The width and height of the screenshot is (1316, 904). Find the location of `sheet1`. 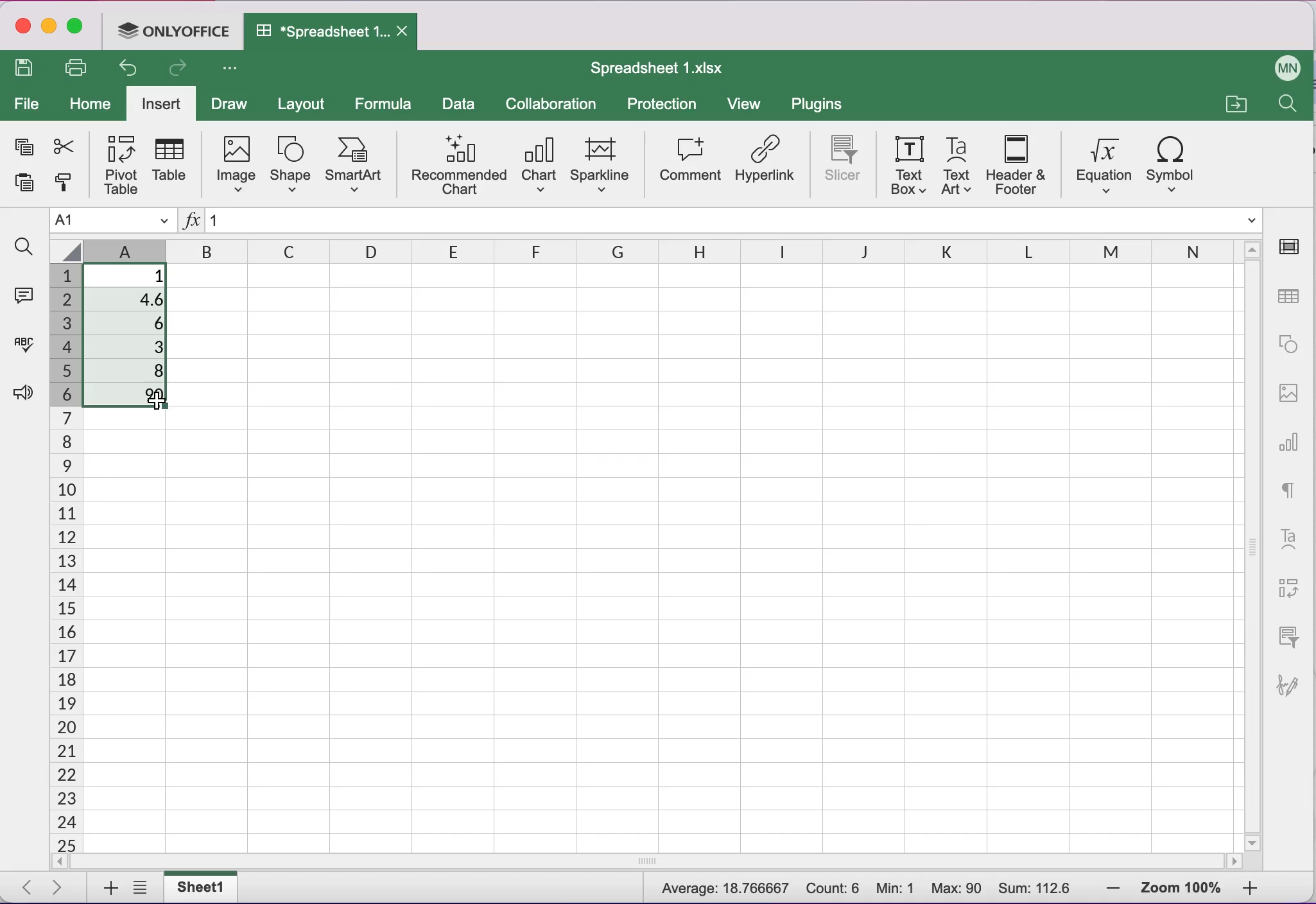

sheet1 is located at coordinates (202, 887).